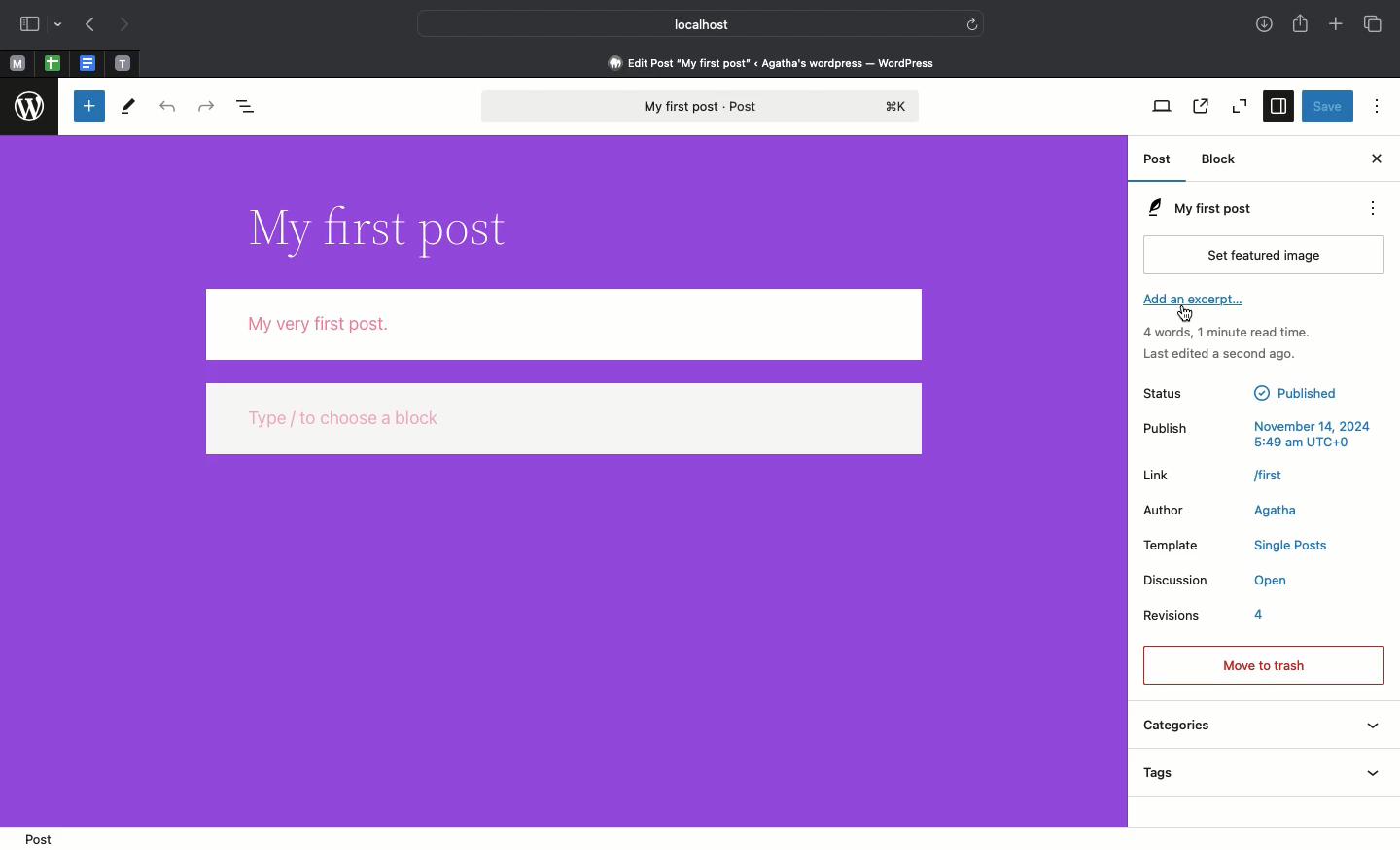 The image size is (1400, 850). What do you see at coordinates (165, 108) in the screenshot?
I see `Undo` at bounding box center [165, 108].